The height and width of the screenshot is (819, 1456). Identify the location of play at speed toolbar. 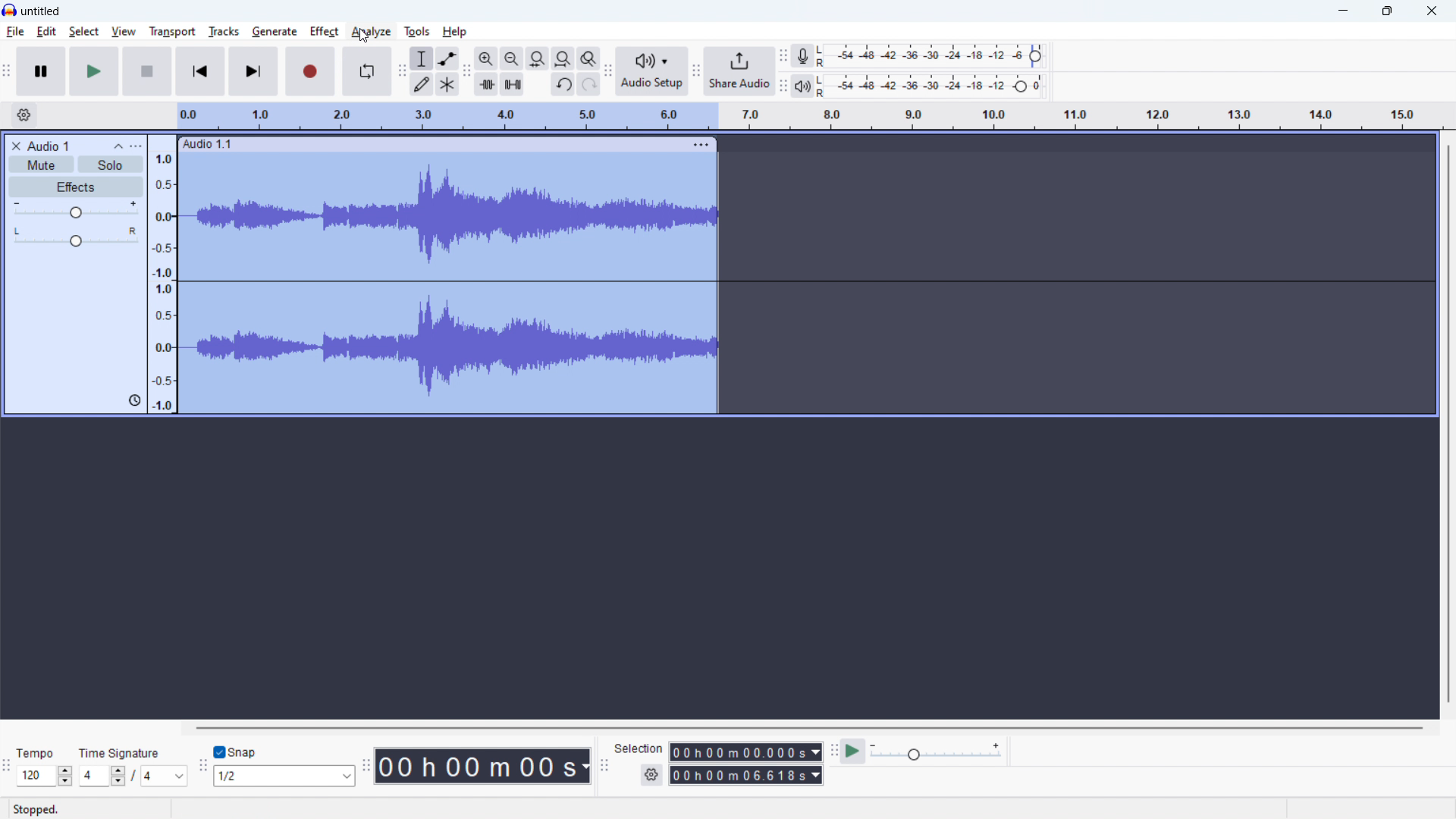
(833, 752).